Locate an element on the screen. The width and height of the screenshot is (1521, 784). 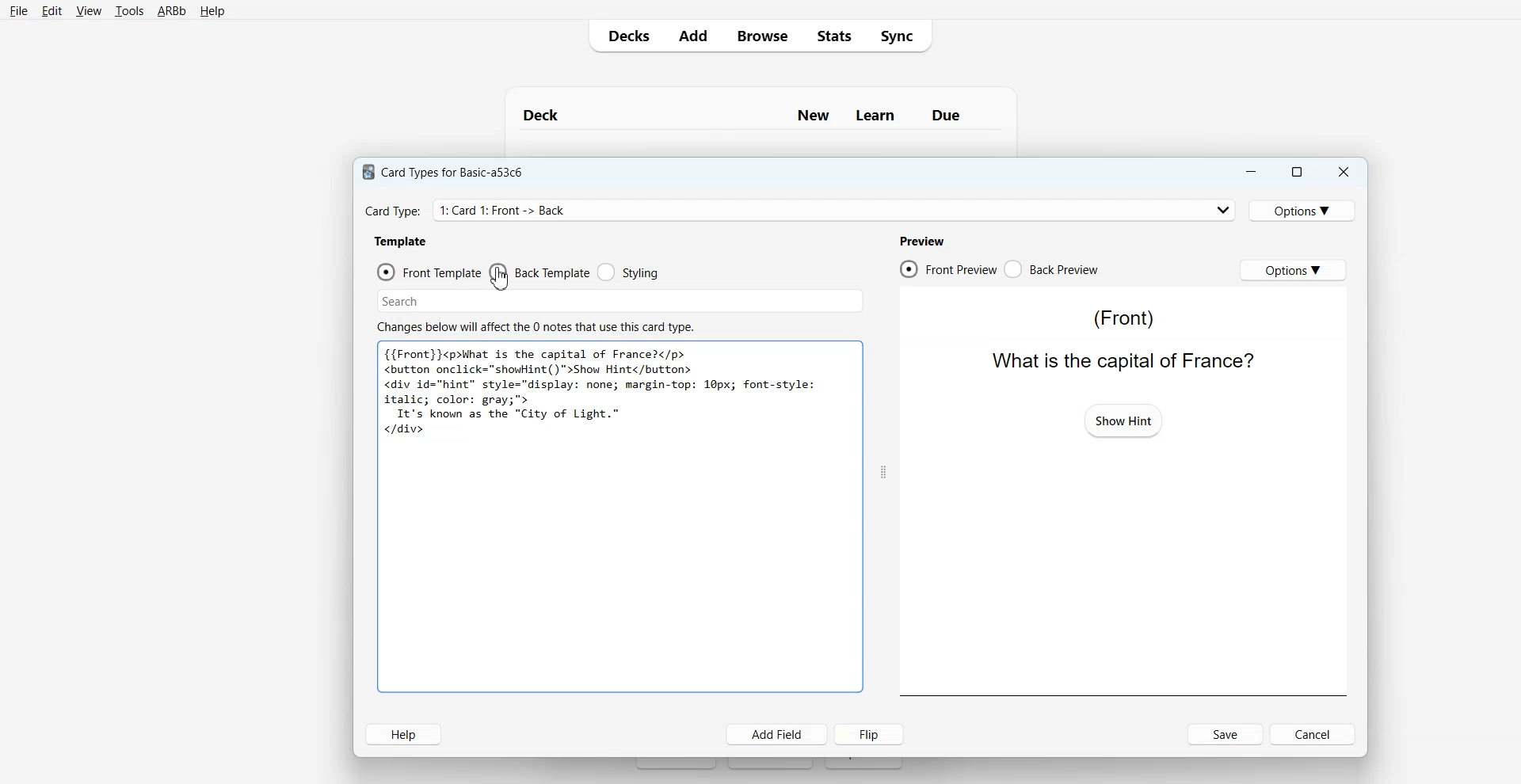
Browse is located at coordinates (761, 35).